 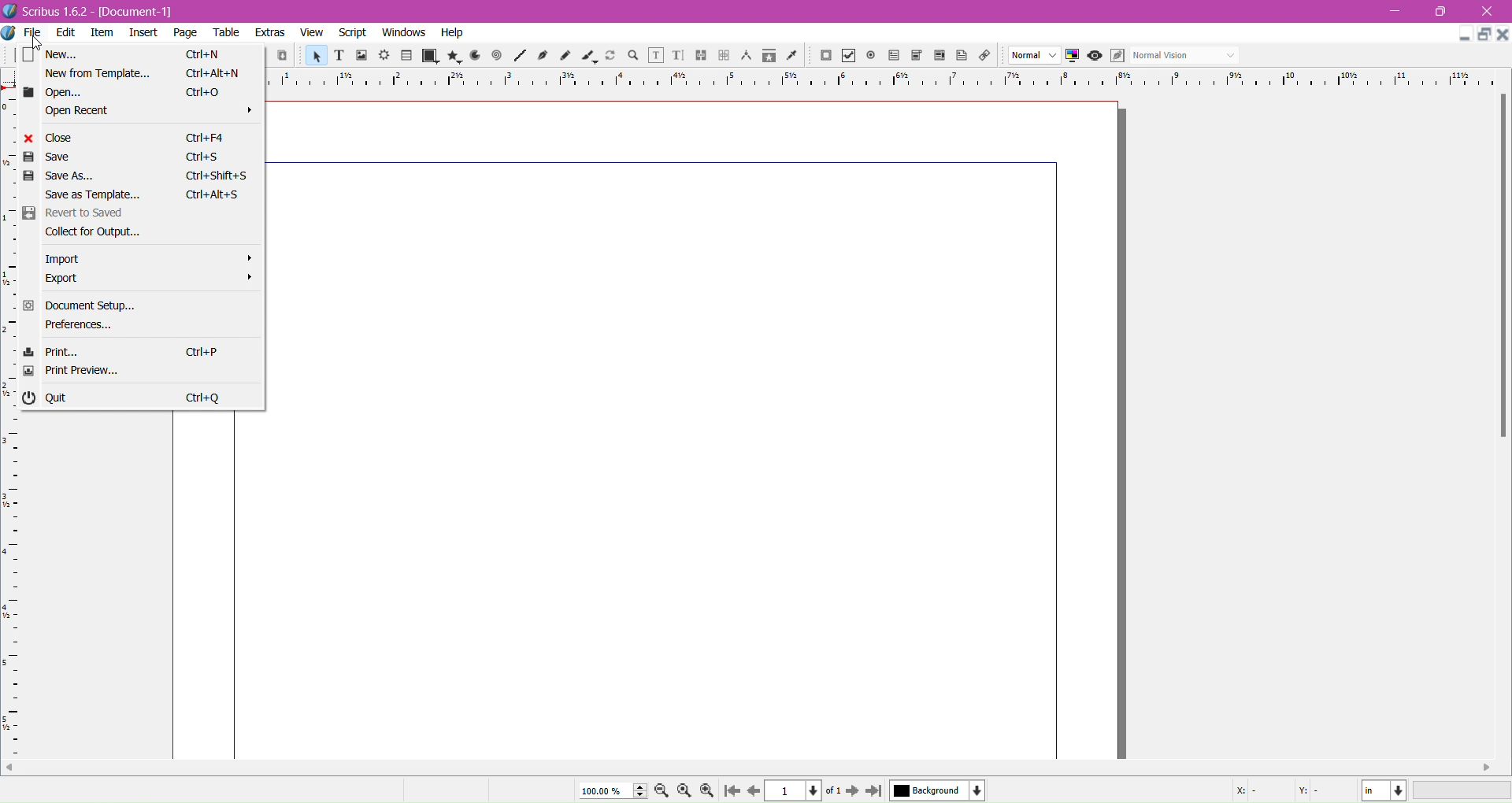 What do you see at coordinates (1184, 56) in the screenshot?
I see `Select the visual appearance of the display` at bounding box center [1184, 56].